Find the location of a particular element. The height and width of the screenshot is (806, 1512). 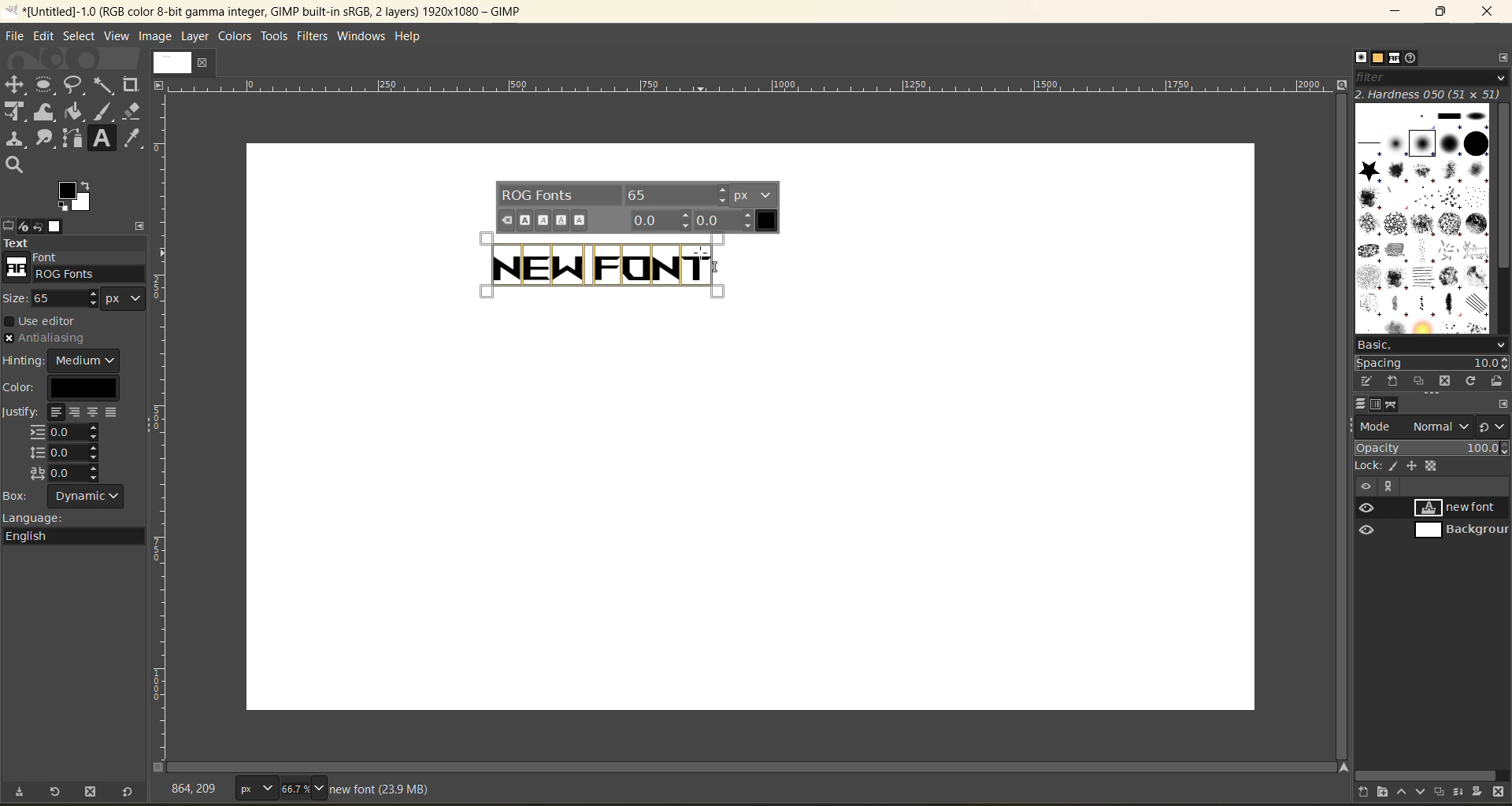

horizontal scroll bar is located at coordinates (1431, 773).